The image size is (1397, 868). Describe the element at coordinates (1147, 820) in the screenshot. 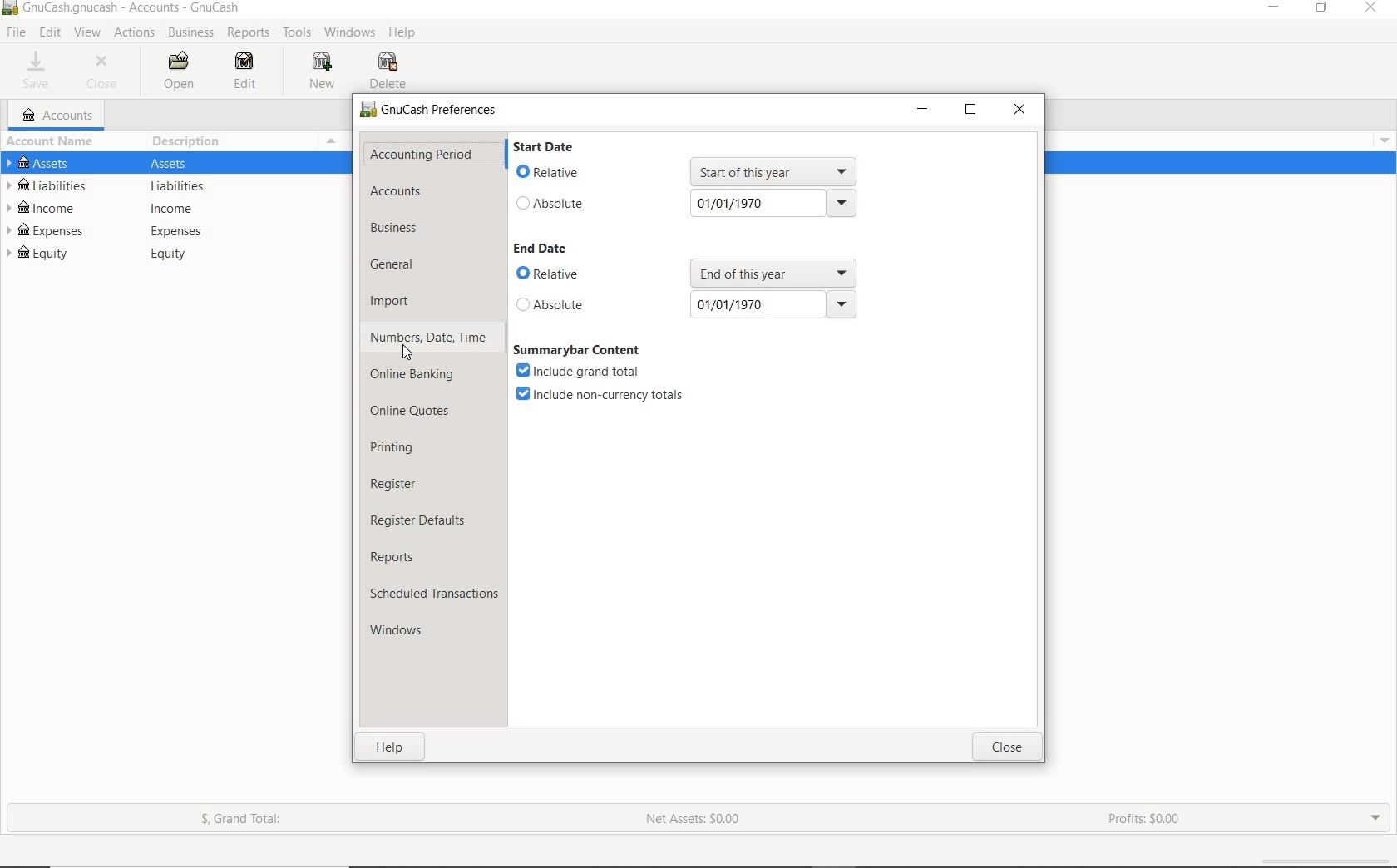

I see `PROFIT` at that location.